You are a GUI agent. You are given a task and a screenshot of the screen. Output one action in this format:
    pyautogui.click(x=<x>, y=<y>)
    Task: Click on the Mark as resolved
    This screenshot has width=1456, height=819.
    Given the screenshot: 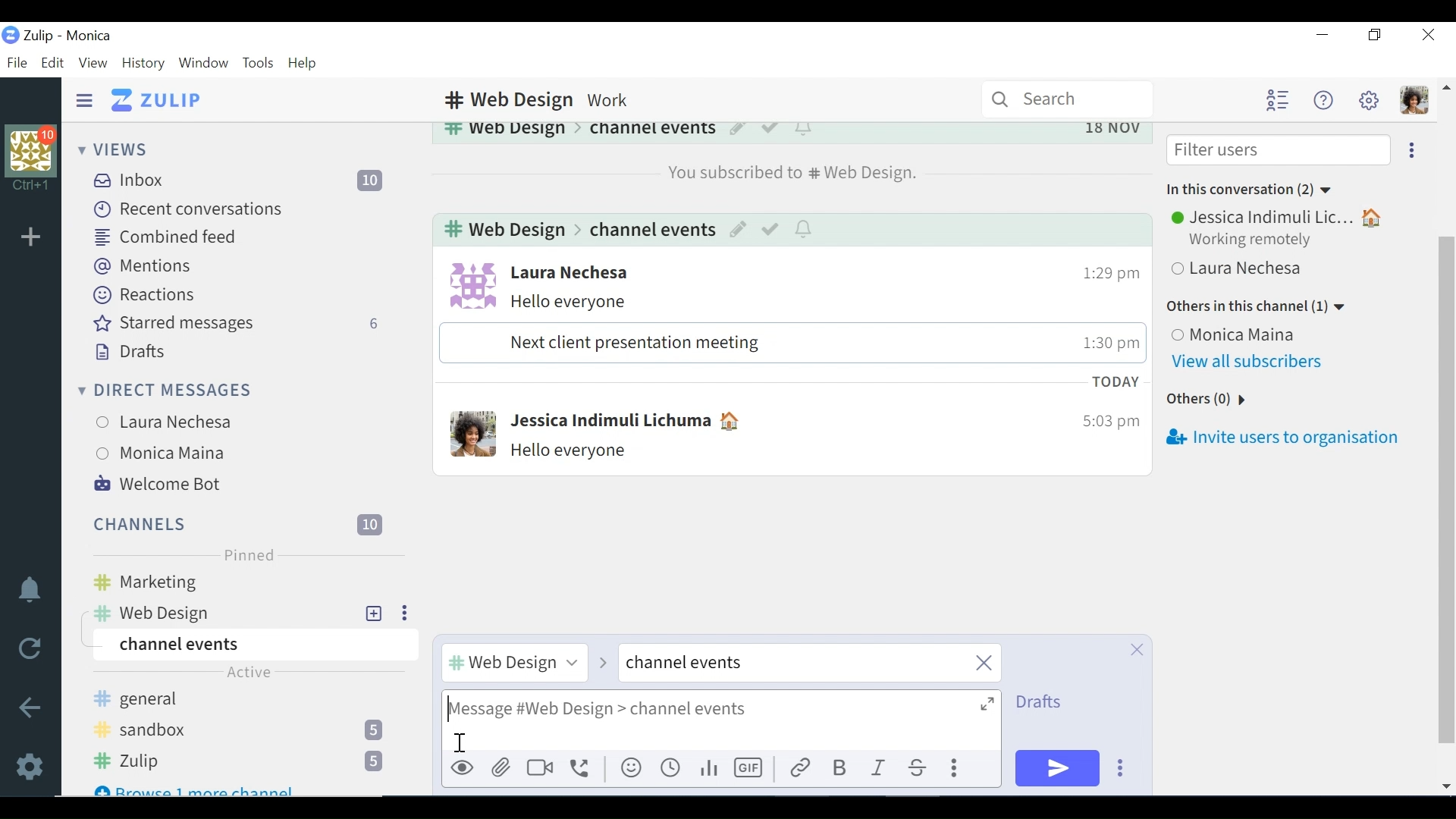 What is the action you would take?
    pyautogui.click(x=770, y=128)
    